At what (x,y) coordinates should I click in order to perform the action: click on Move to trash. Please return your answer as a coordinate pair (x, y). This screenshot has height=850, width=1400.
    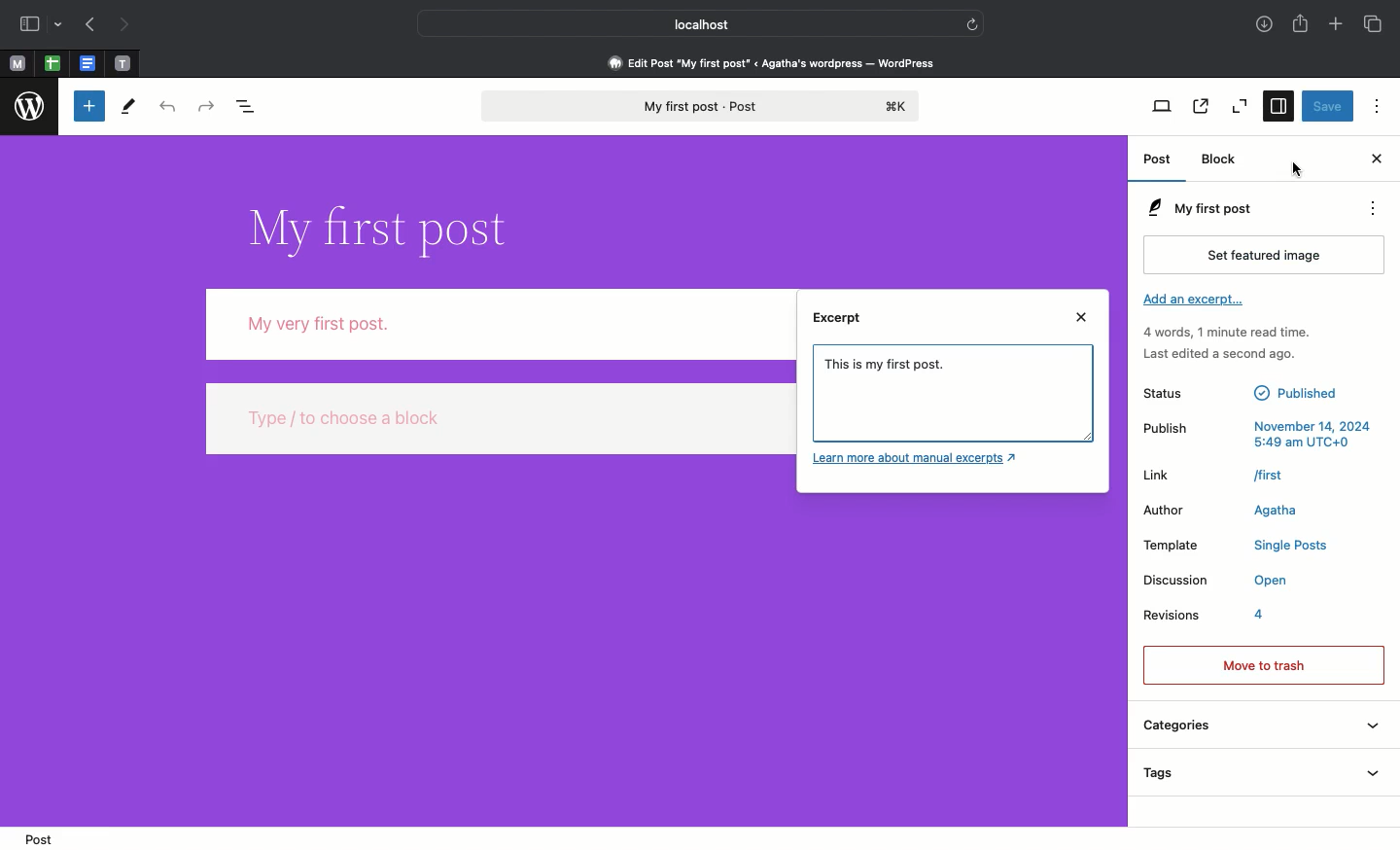
    Looking at the image, I should click on (1263, 663).